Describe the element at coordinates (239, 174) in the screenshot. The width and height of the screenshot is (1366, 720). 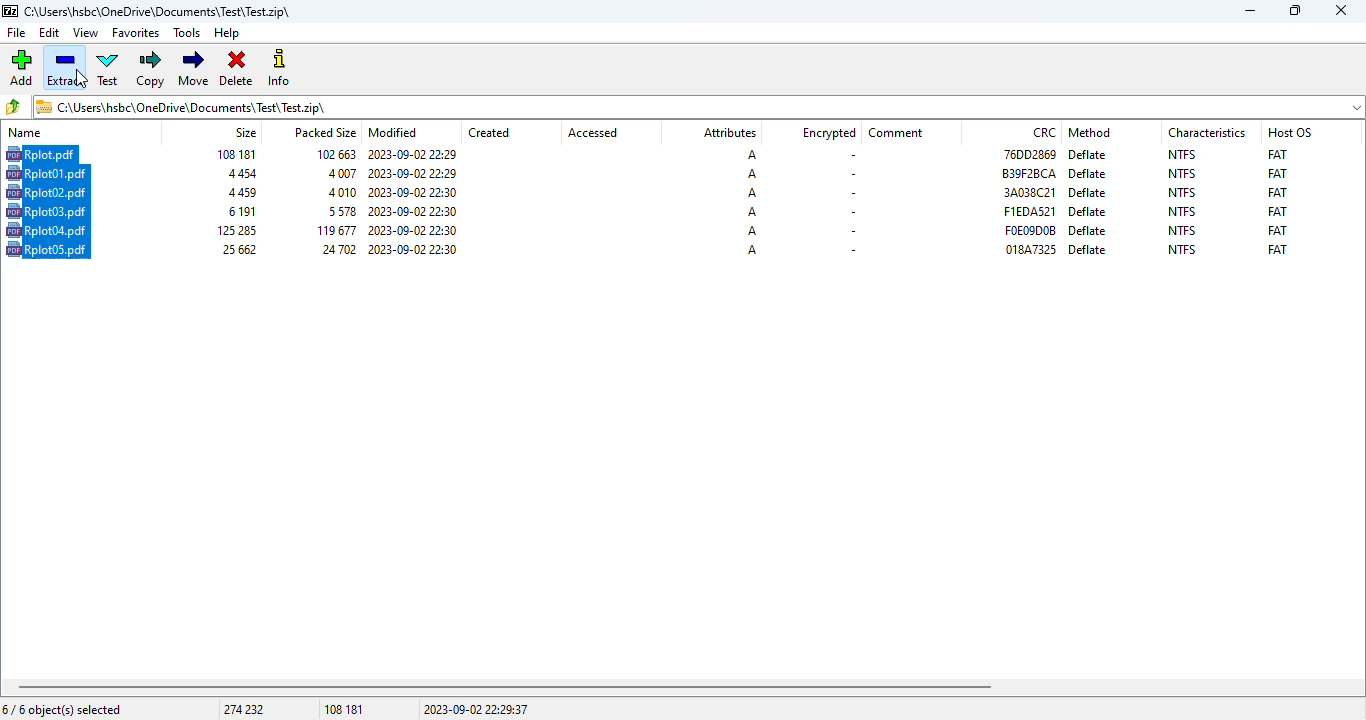
I see `size` at that location.